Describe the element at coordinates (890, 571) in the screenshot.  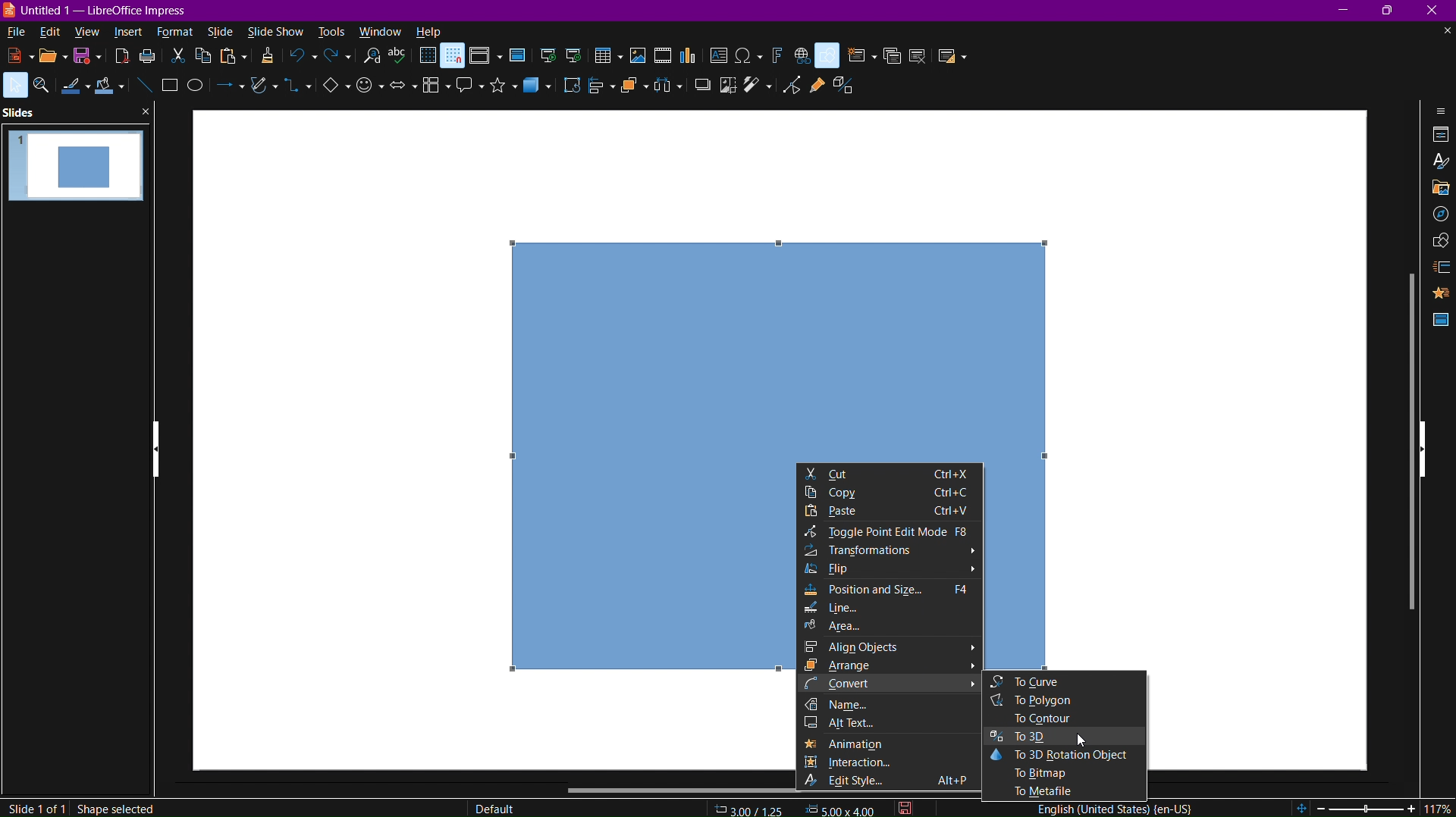
I see `Flip` at that location.